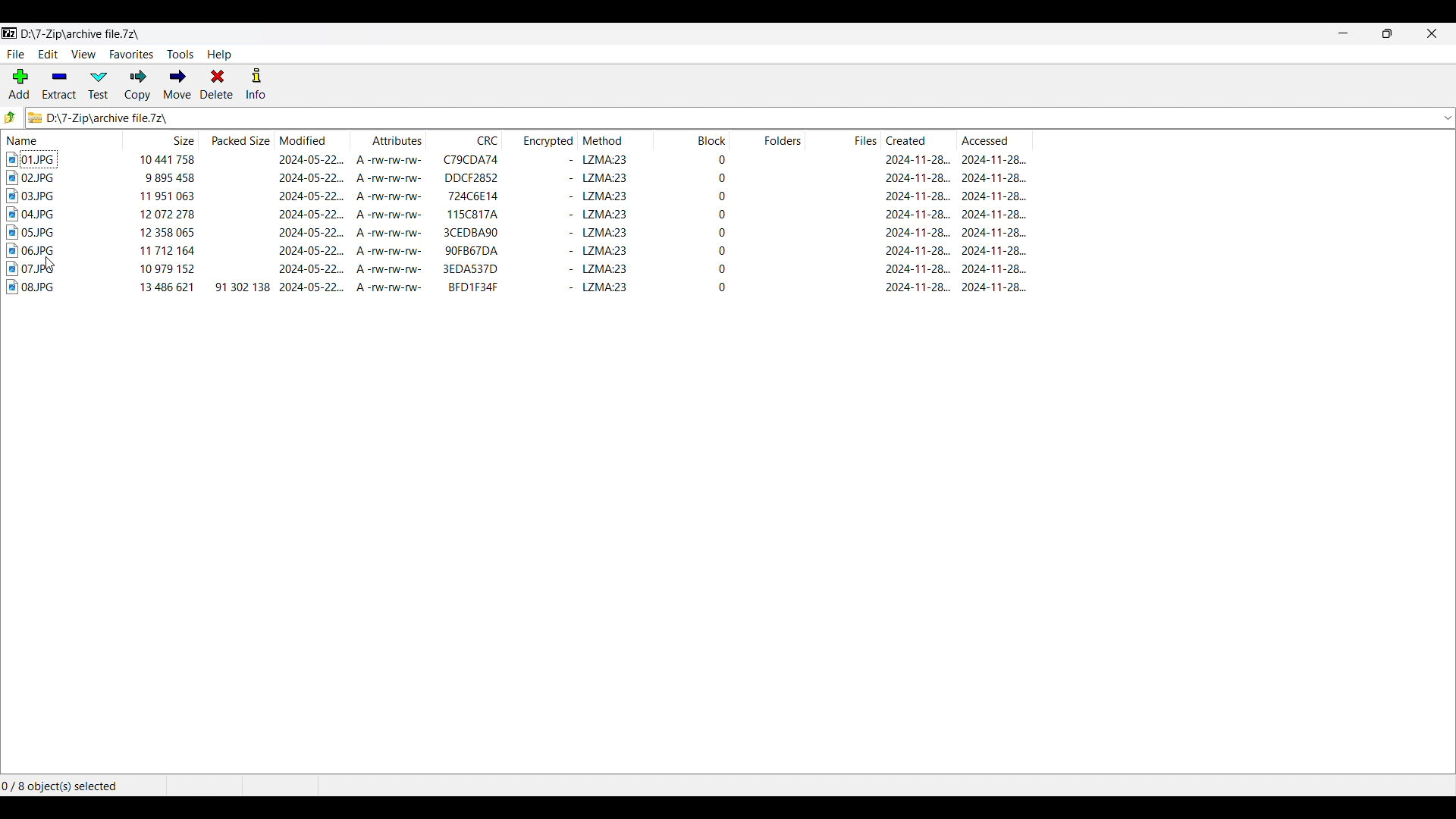 The image size is (1456, 819). What do you see at coordinates (131, 55) in the screenshot?
I see `Favorites menu` at bounding box center [131, 55].